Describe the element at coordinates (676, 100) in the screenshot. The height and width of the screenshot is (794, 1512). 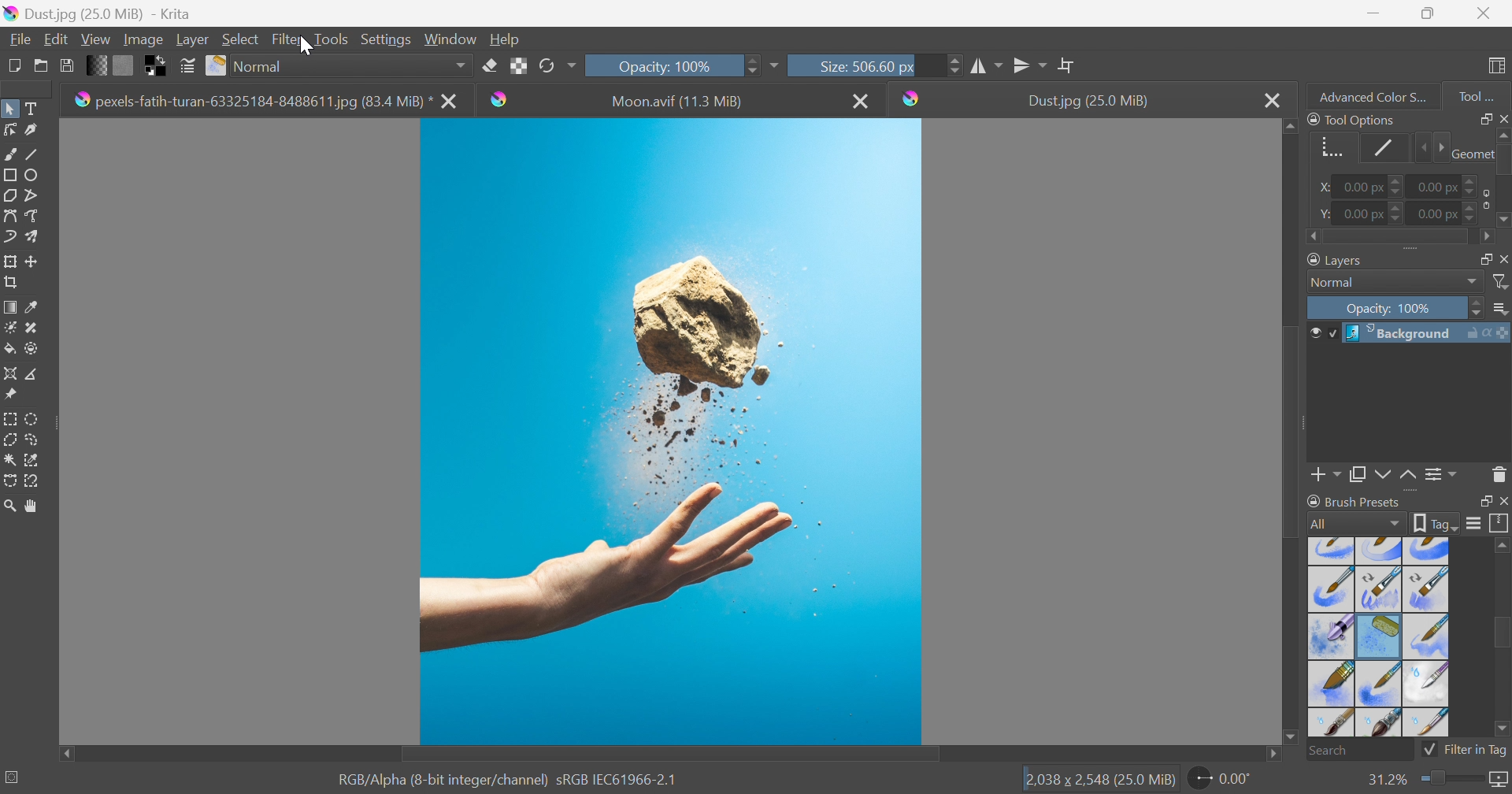
I see `Moon.avif (11.3 MB)` at that location.